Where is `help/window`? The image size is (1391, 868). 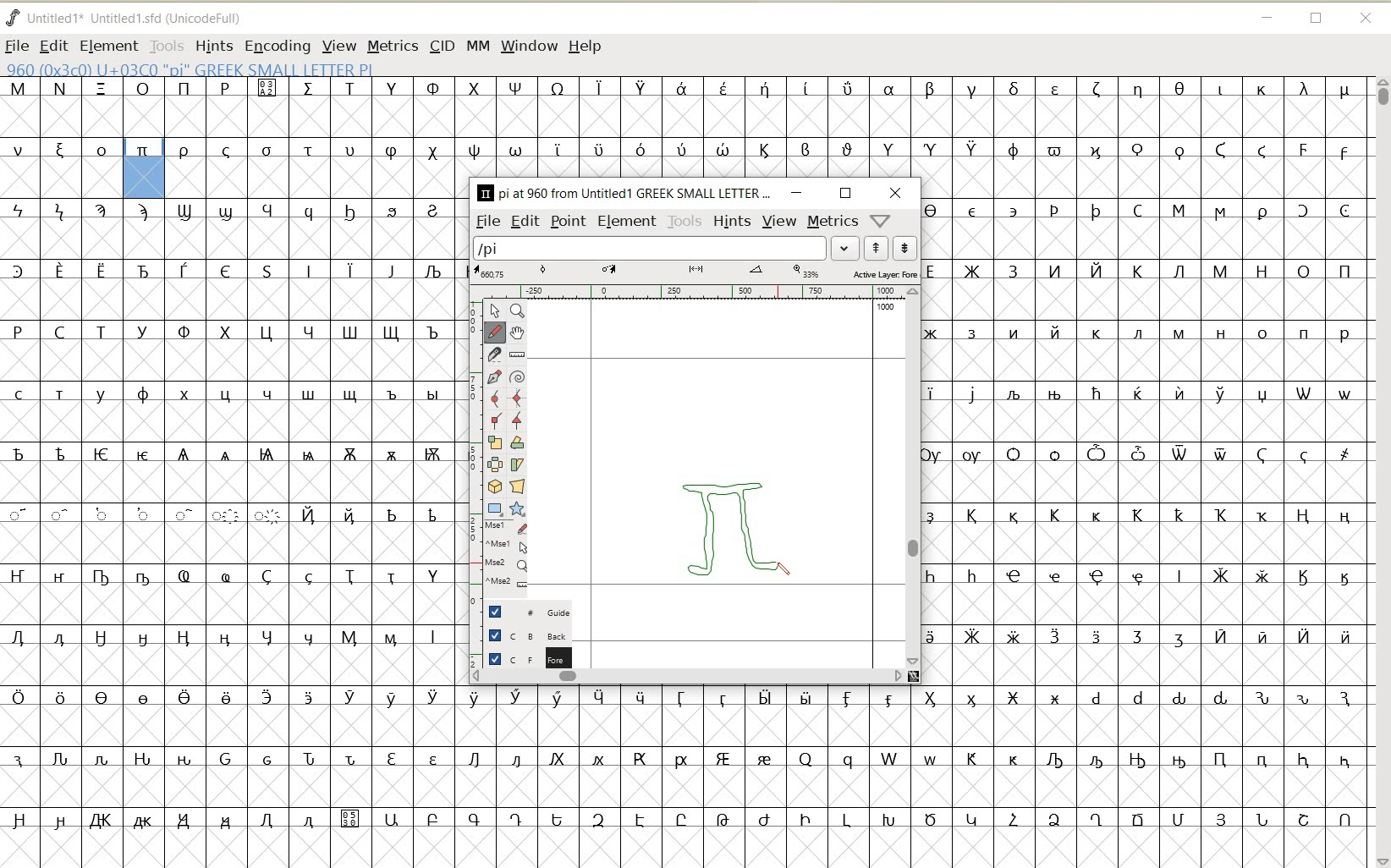
help/window is located at coordinates (881, 221).